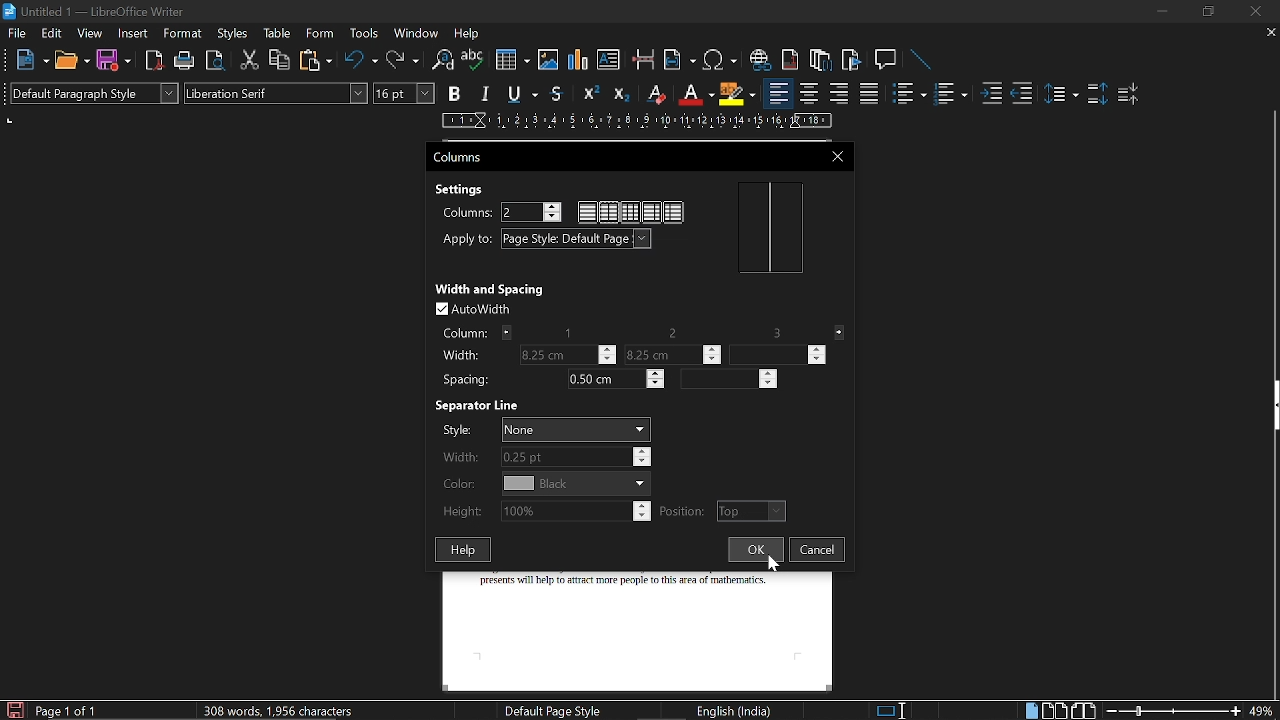 The height and width of the screenshot is (720, 1280). Describe the element at coordinates (1191, 710) in the screenshot. I see `change zoom` at that location.